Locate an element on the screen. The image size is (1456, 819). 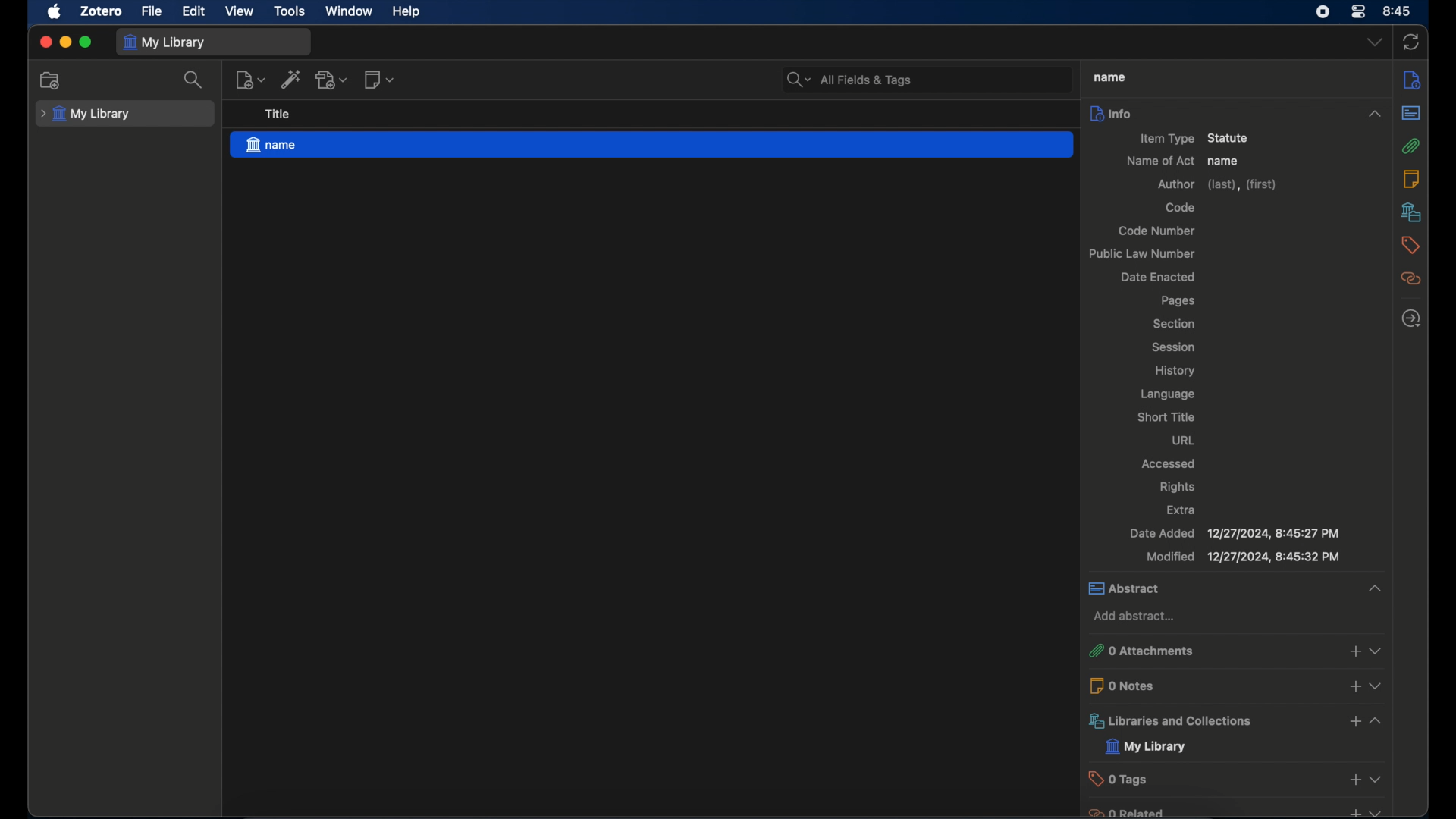
file is located at coordinates (151, 11).